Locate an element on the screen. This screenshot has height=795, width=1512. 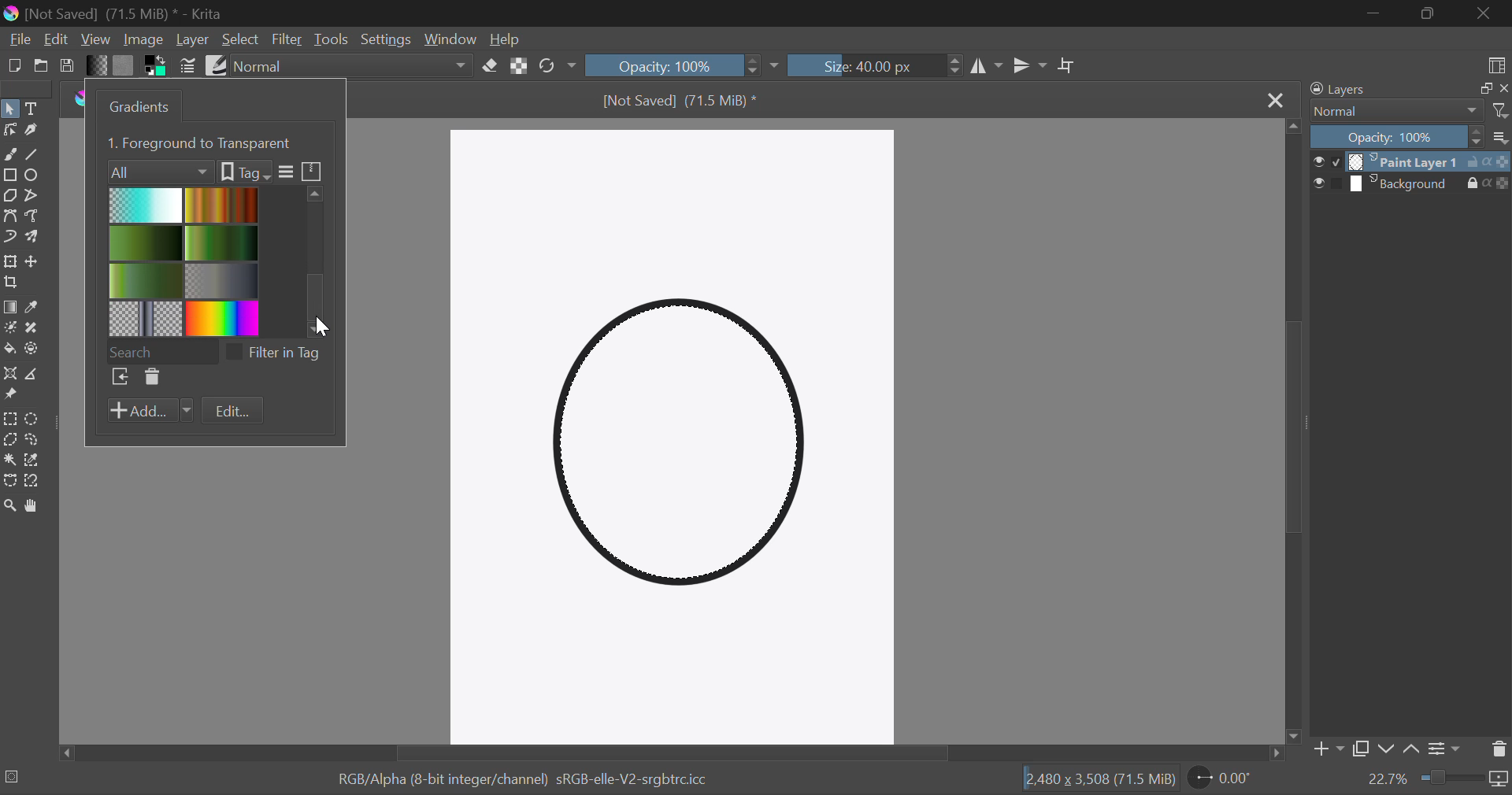
Bezier Curve Selection is located at coordinates (10, 483).